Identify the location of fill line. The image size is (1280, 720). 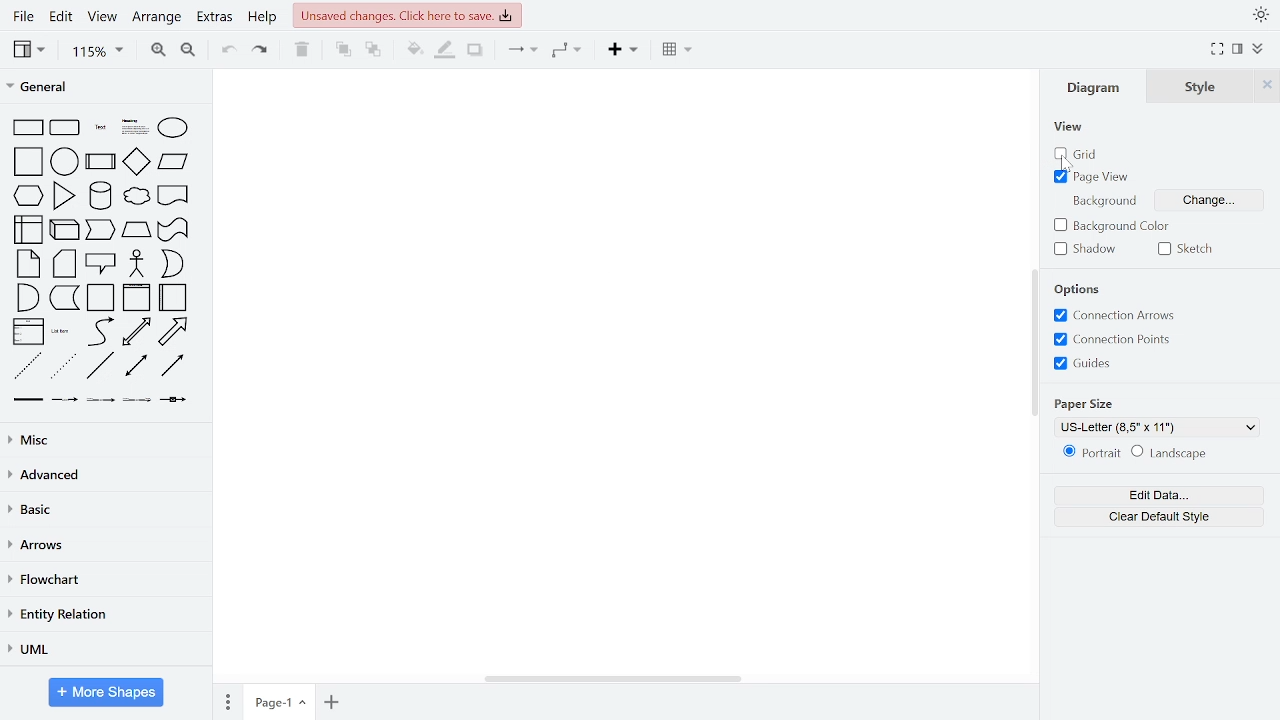
(447, 50).